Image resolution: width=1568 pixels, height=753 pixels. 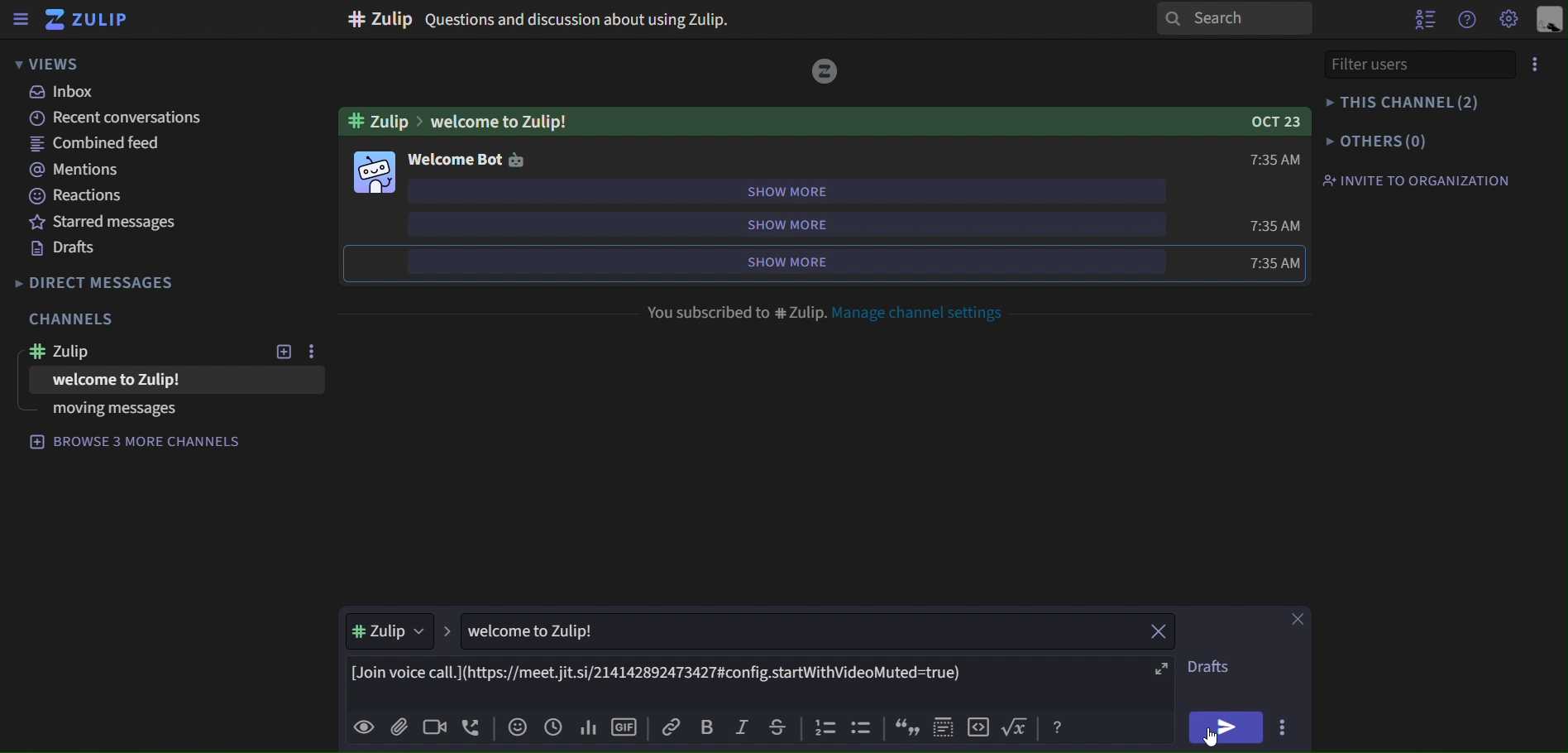 What do you see at coordinates (1278, 725) in the screenshot?
I see `more aactions` at bounding box center [1278, 725].